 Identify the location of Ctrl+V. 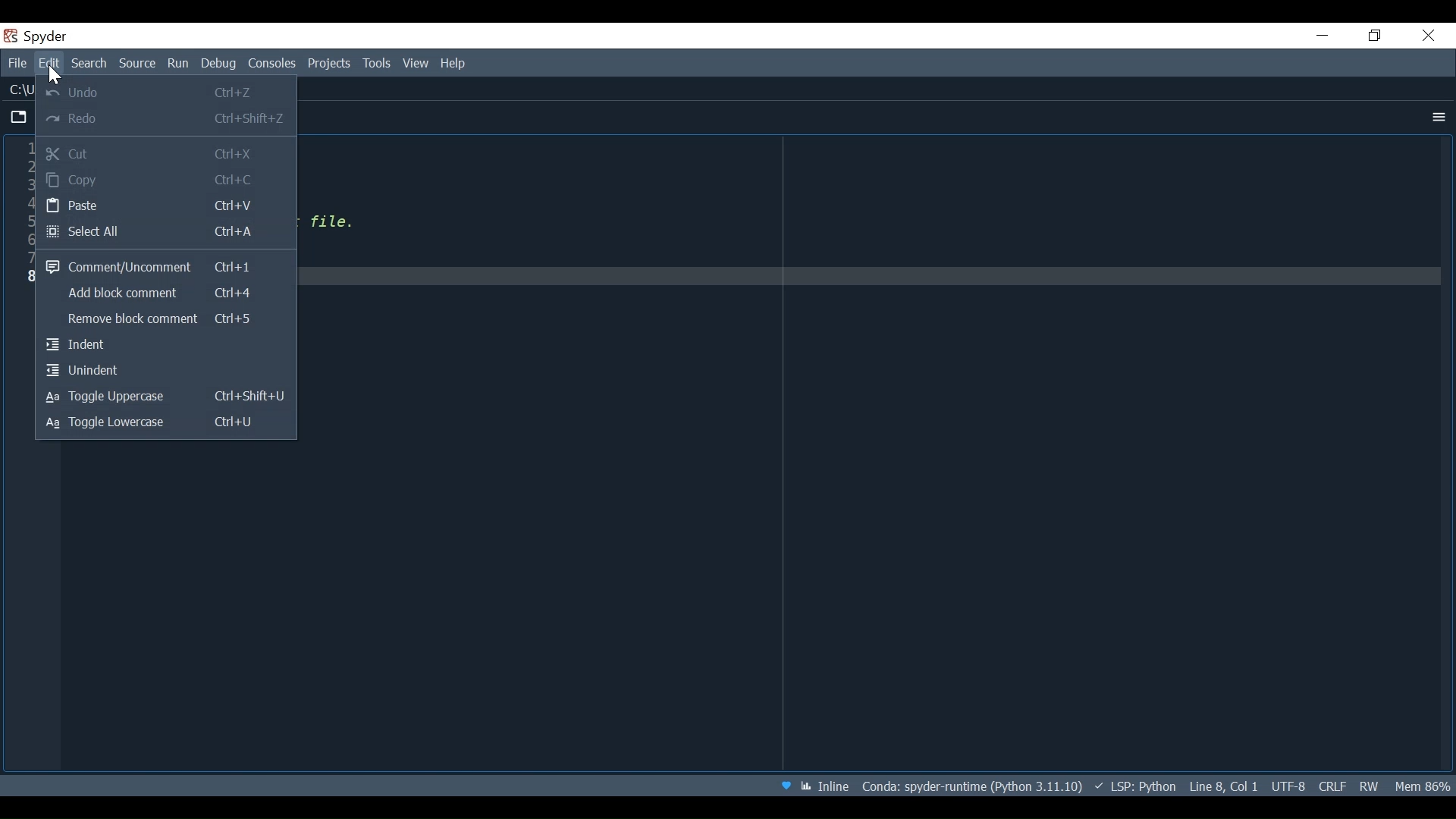
(237, 206).